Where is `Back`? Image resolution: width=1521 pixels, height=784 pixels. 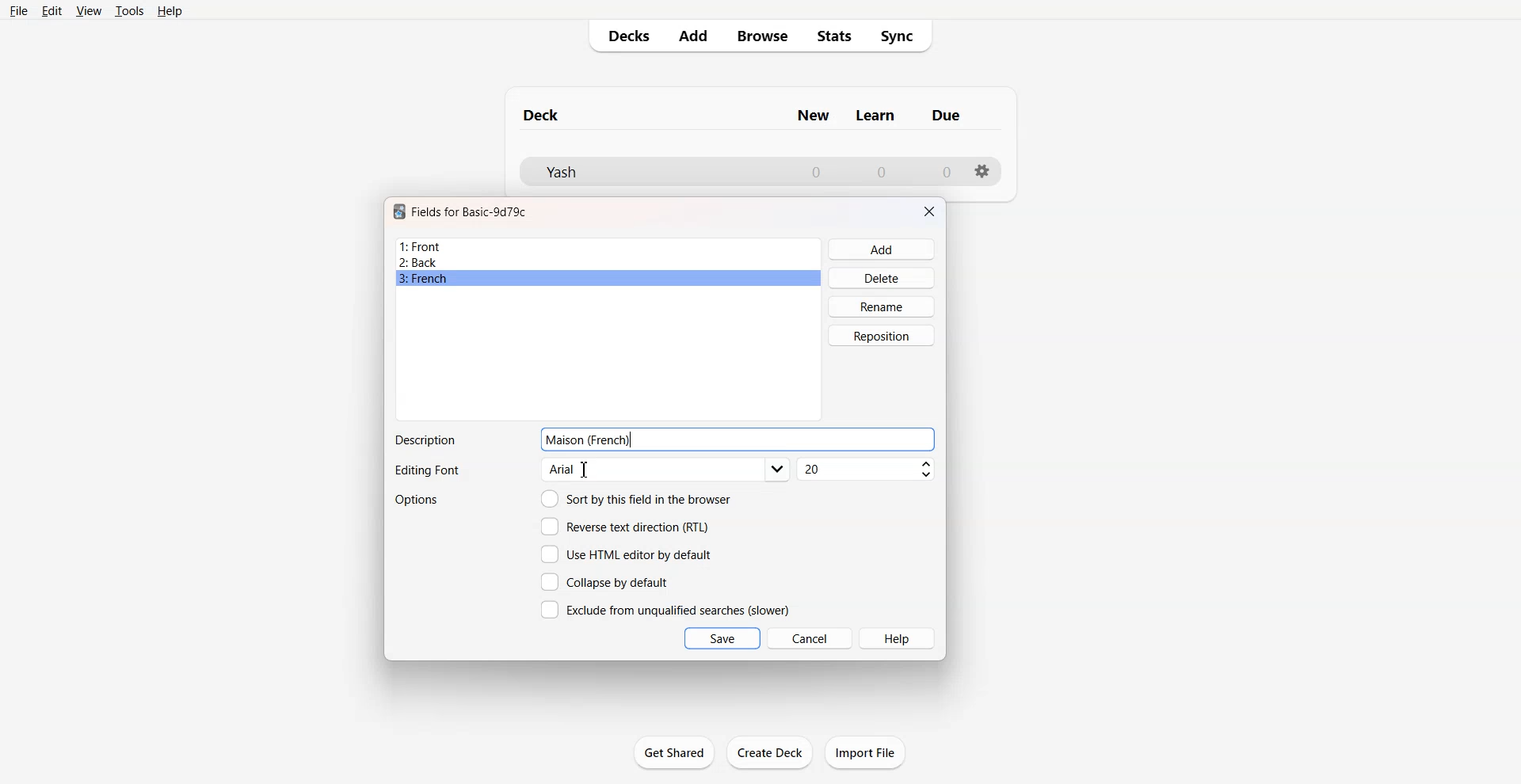
Back is located at coordinates (608, 262).